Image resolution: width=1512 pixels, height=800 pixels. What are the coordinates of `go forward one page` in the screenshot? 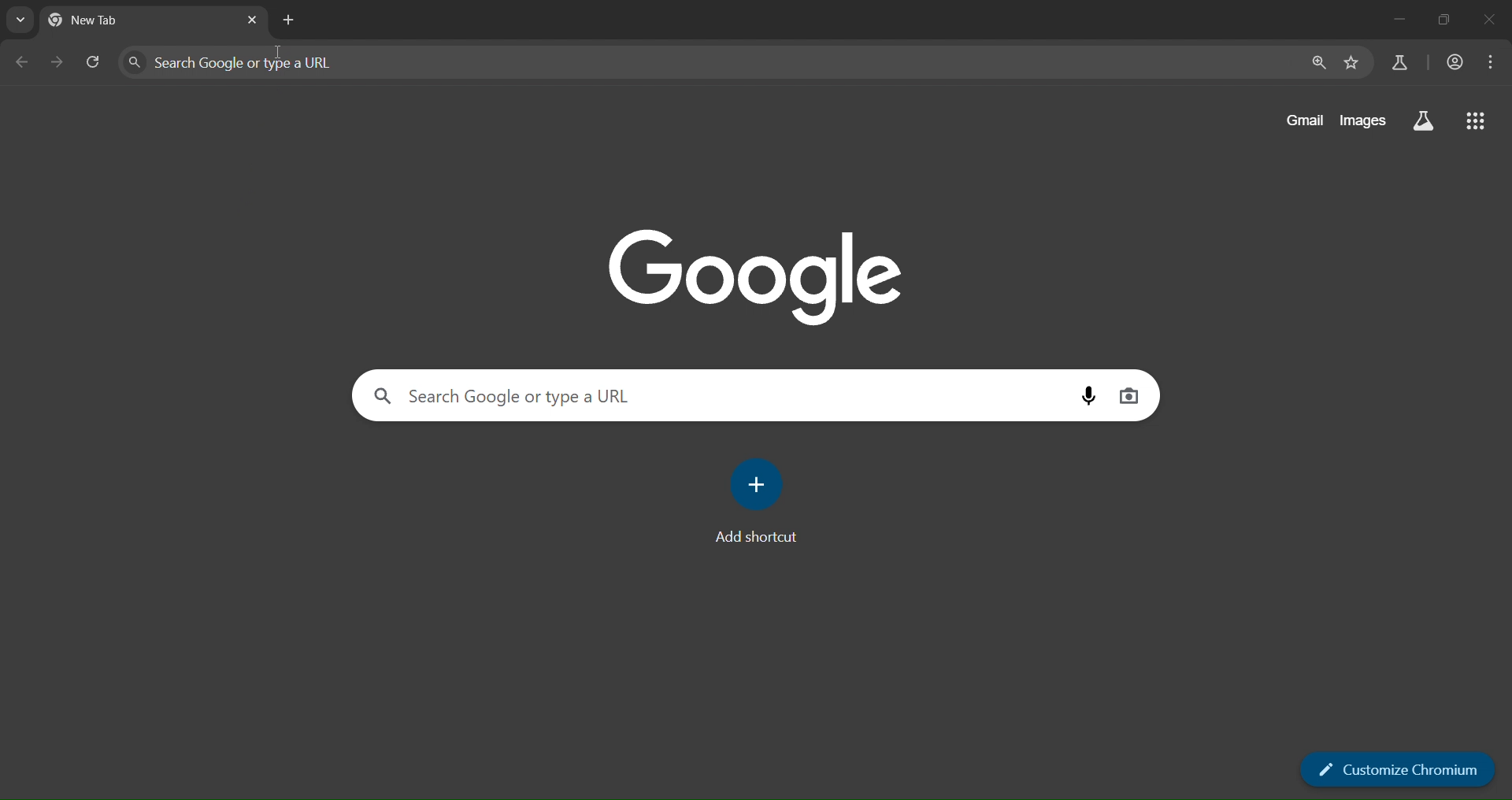 It's located at (59, 64).